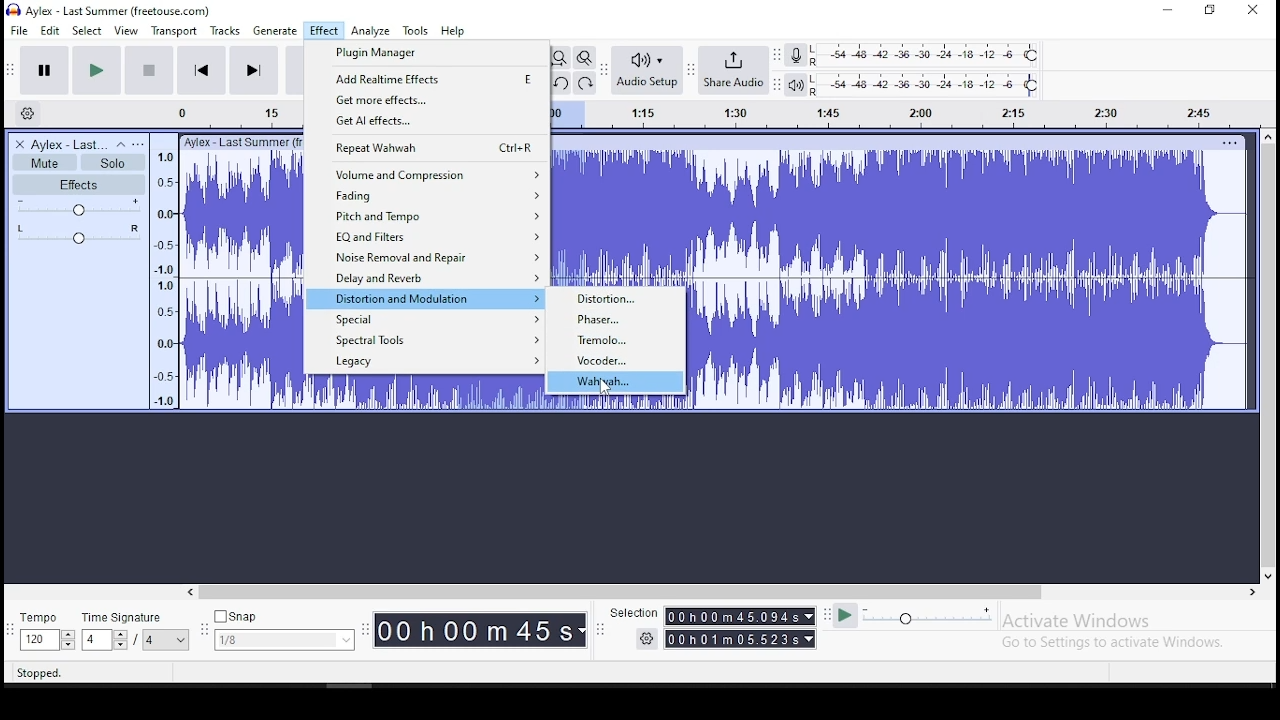 This screenshot has width=1280, height=720. I want to click on settings, so click(635, 639).